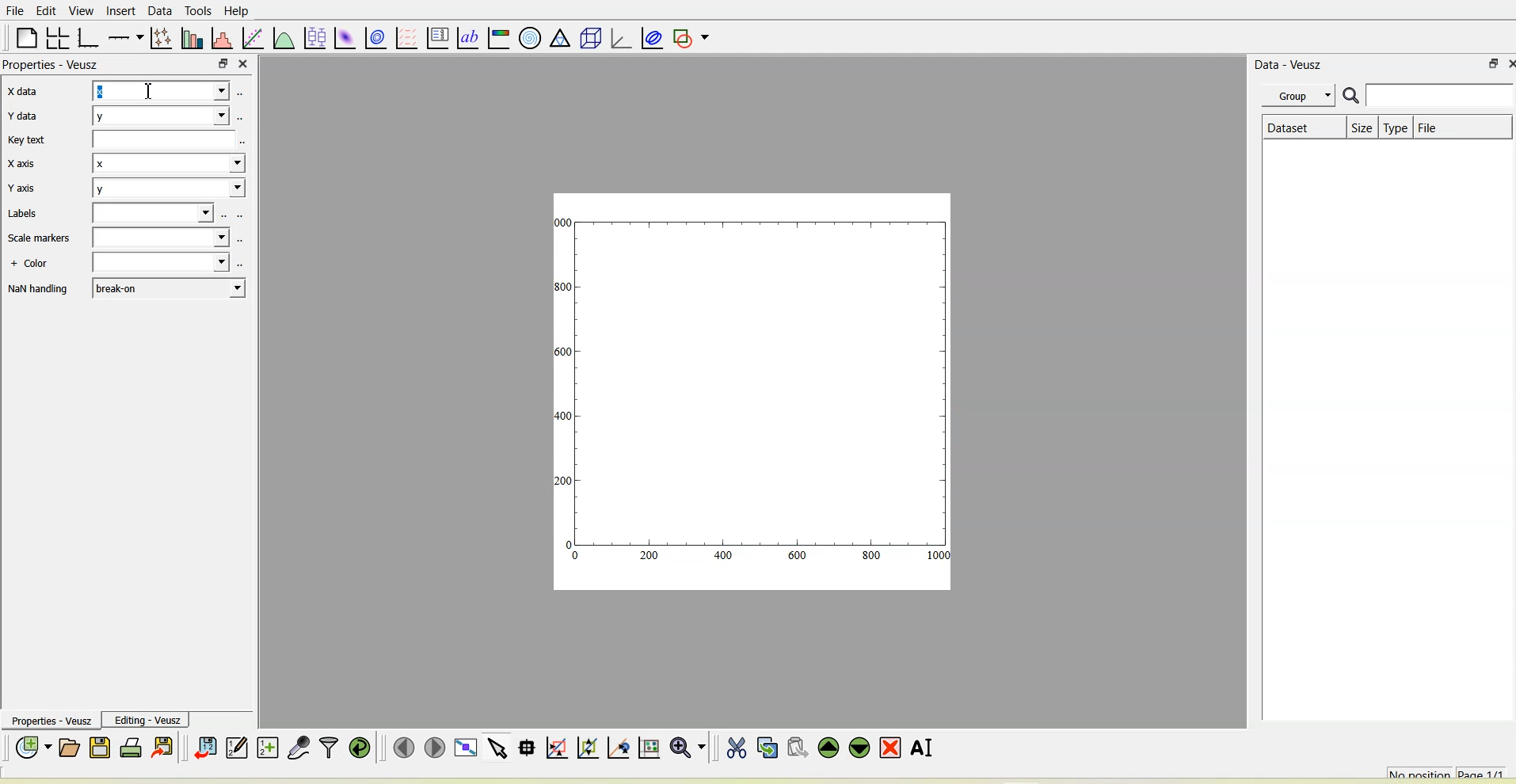 Image resolution: width=1516 pixels, height=784 pixels. What do you see at coordinates (284, 38) in the screenshot?
I see `Plot a function` at bounding box center [284, 38].